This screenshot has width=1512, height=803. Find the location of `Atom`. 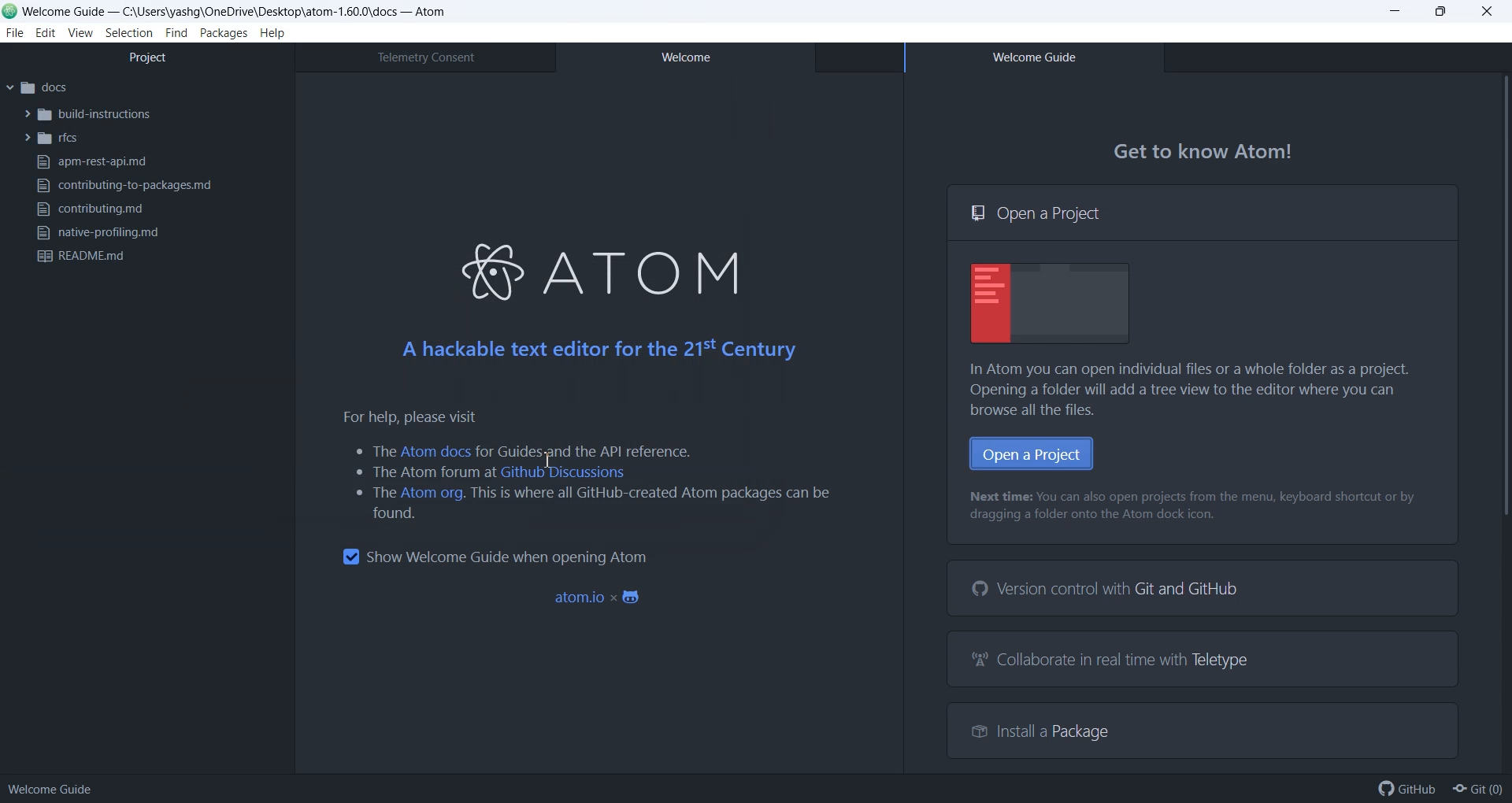

Atom is located at coordinates (593, 268).